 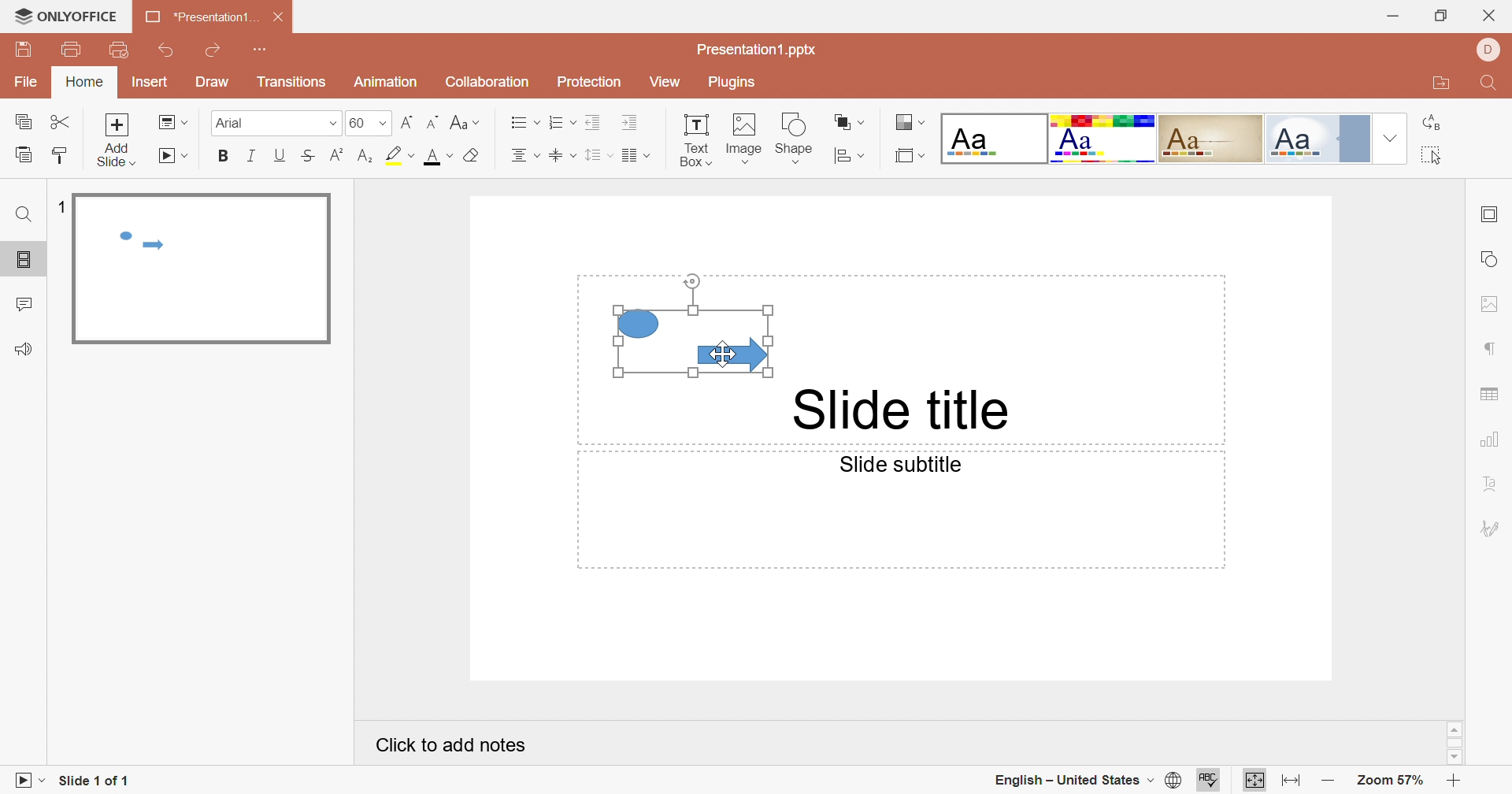 I want to click on Arial, so click(x=276, y=123).